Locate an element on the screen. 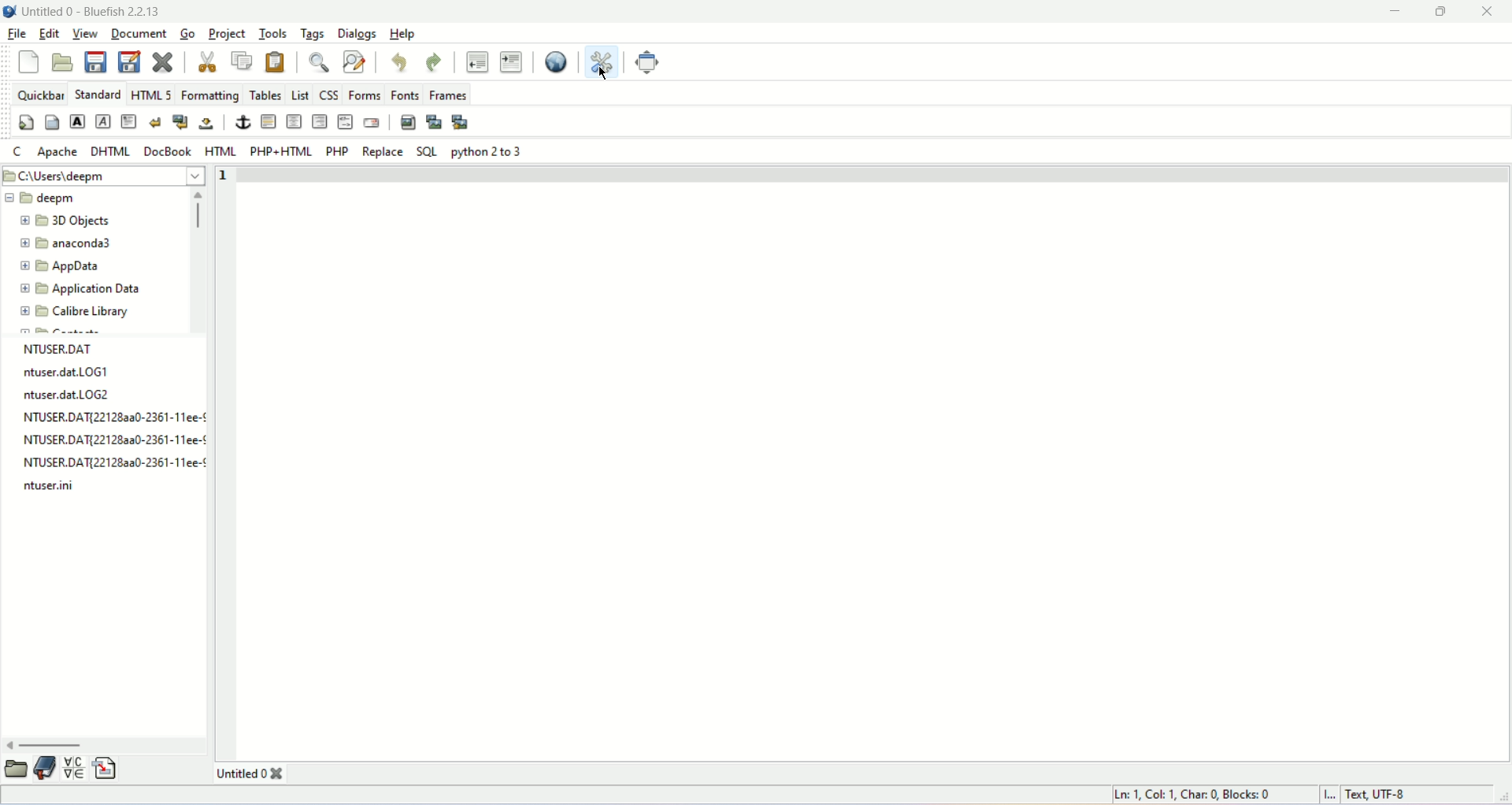 This screenshot has width=1512, height=805. paragraph is located at coordinates (127, 122).